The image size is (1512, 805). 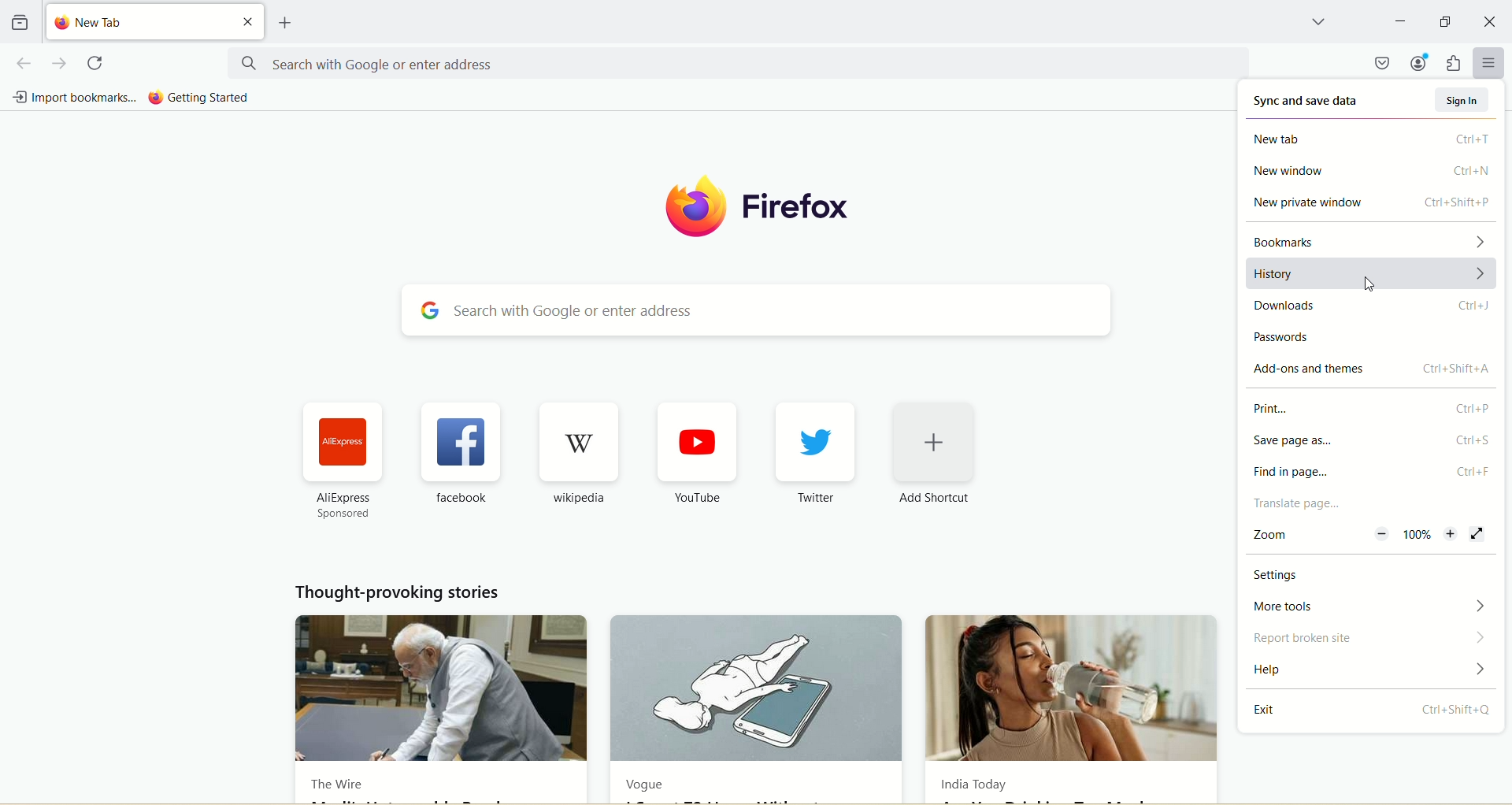 I want to click on logo, so click(x=687, y=208).